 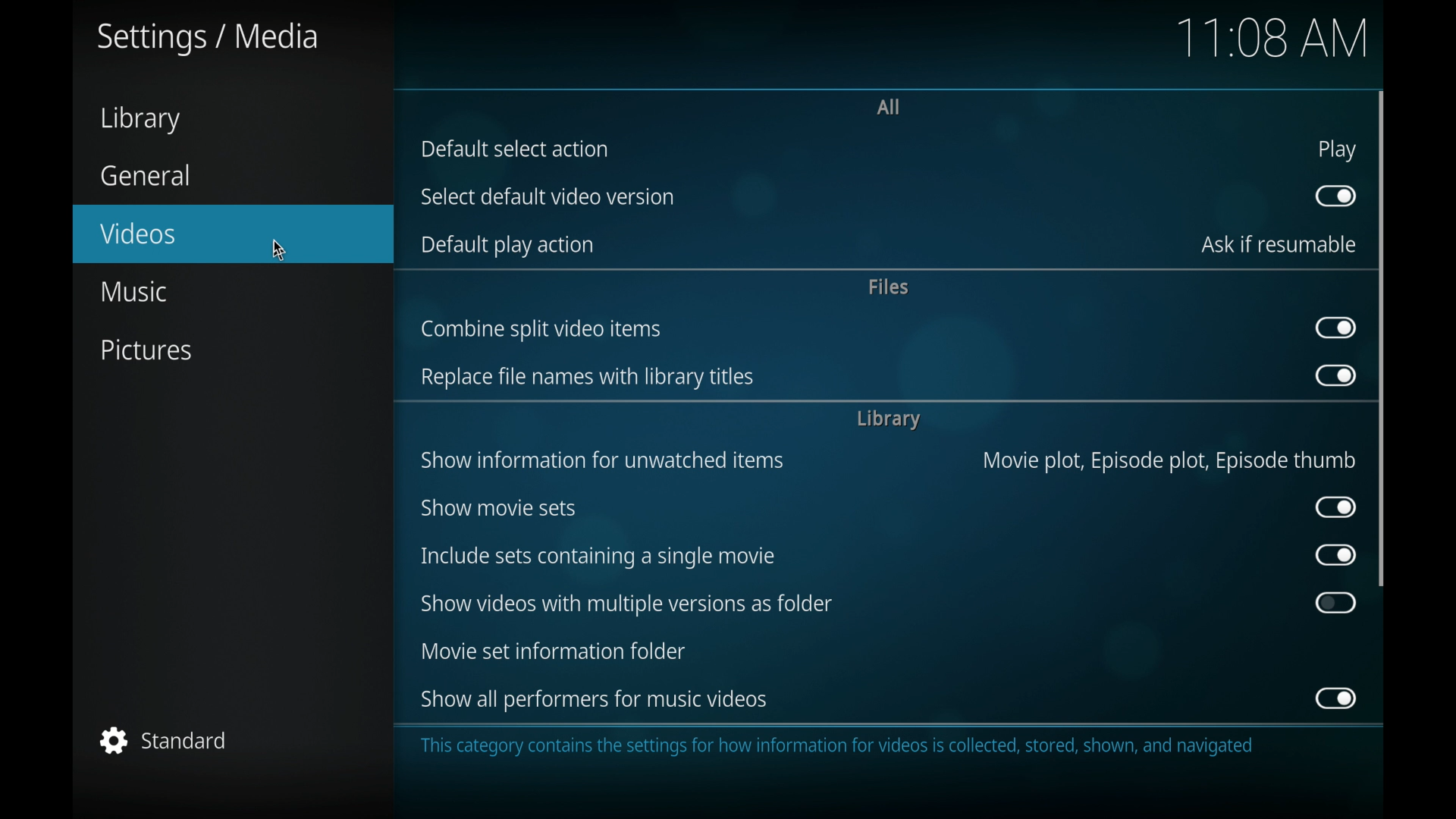 What do you see at coordinates (546, 196) in the screenshot?
I see `select default video version` at bounding box center [546, 196].